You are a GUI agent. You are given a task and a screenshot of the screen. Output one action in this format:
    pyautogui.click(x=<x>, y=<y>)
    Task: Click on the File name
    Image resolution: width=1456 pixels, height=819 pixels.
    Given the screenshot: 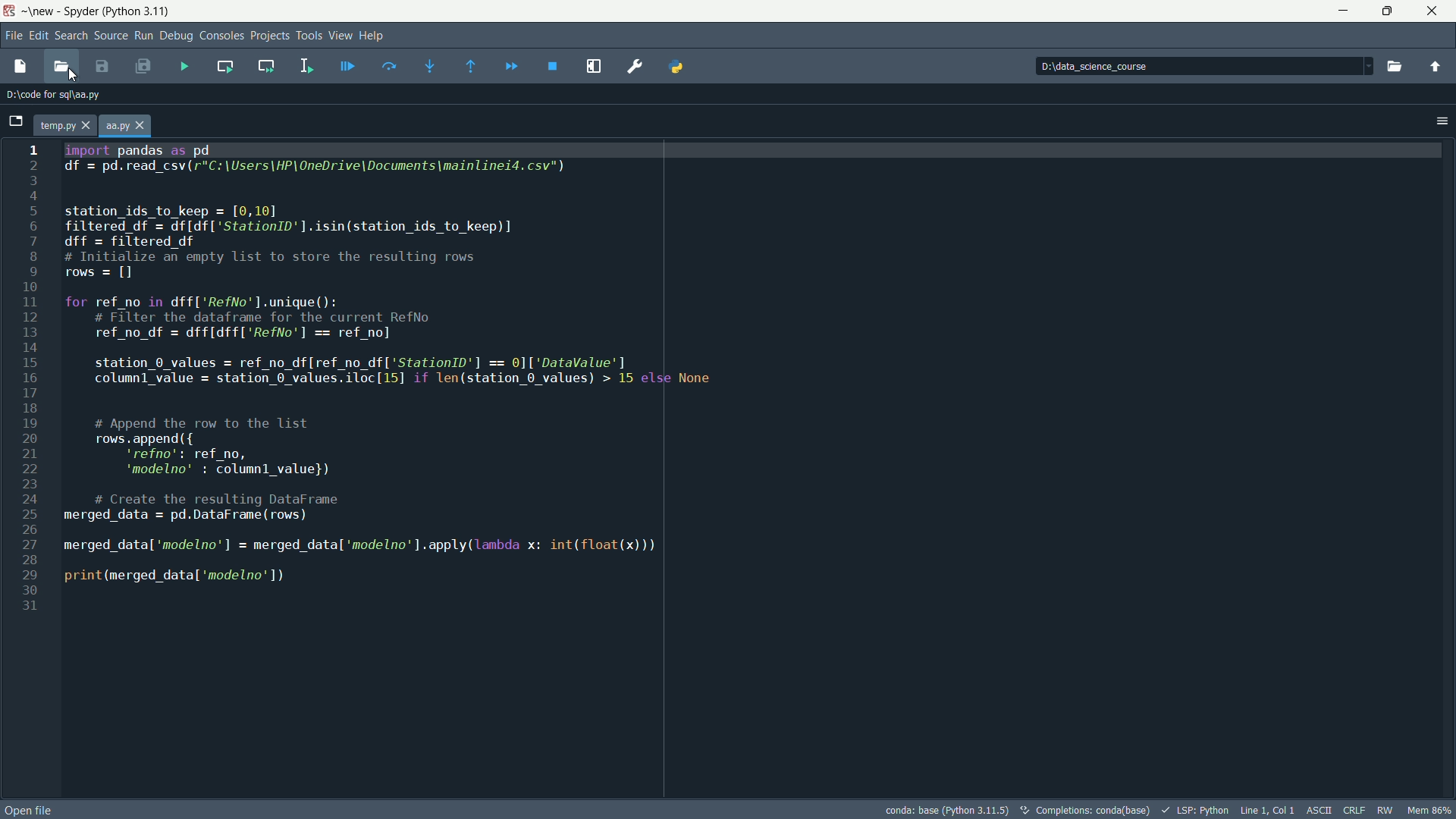 What is the action you would take?
    pyautogui.click(x=56, y=124)
    